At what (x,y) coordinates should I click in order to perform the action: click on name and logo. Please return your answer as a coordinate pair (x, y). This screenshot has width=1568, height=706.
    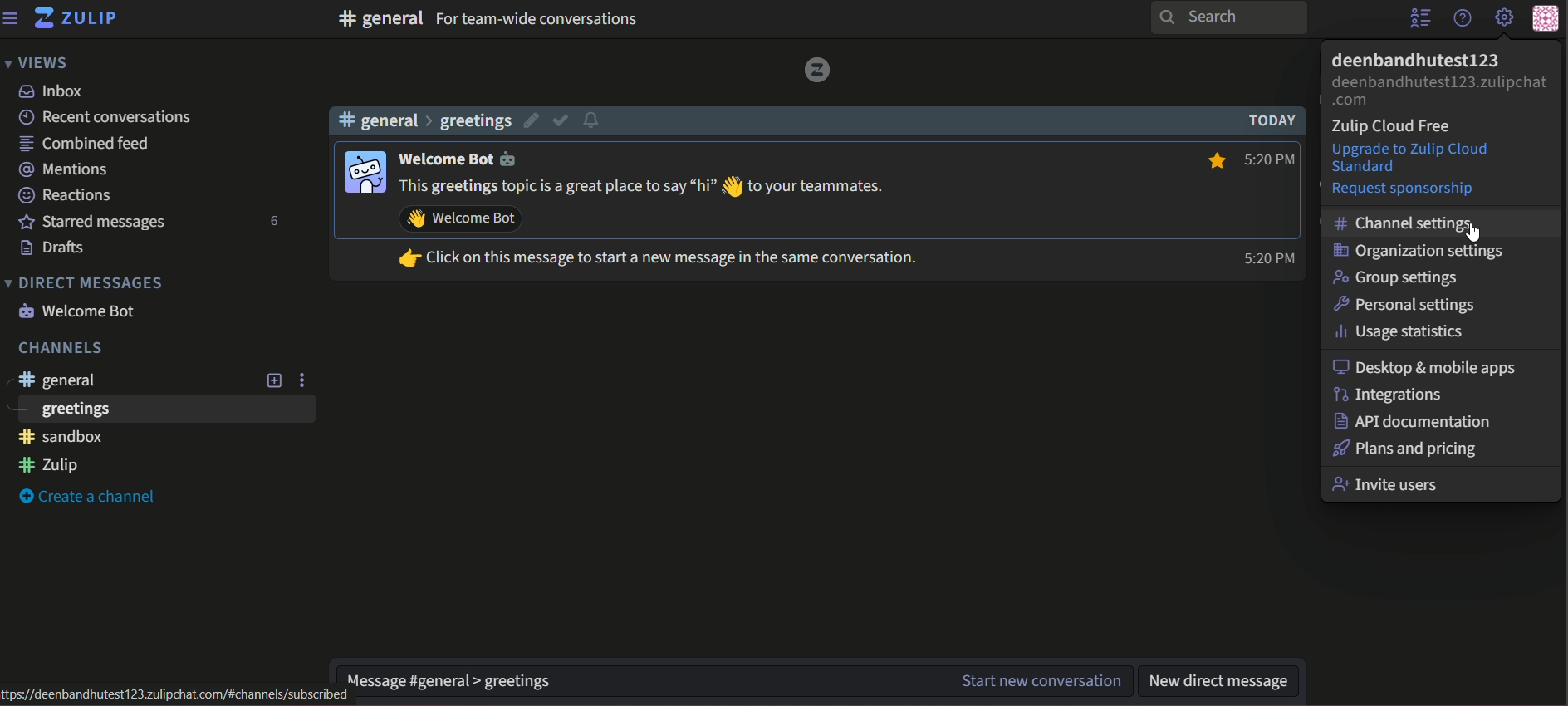
    Looking at the image, I should click on (76, 21).